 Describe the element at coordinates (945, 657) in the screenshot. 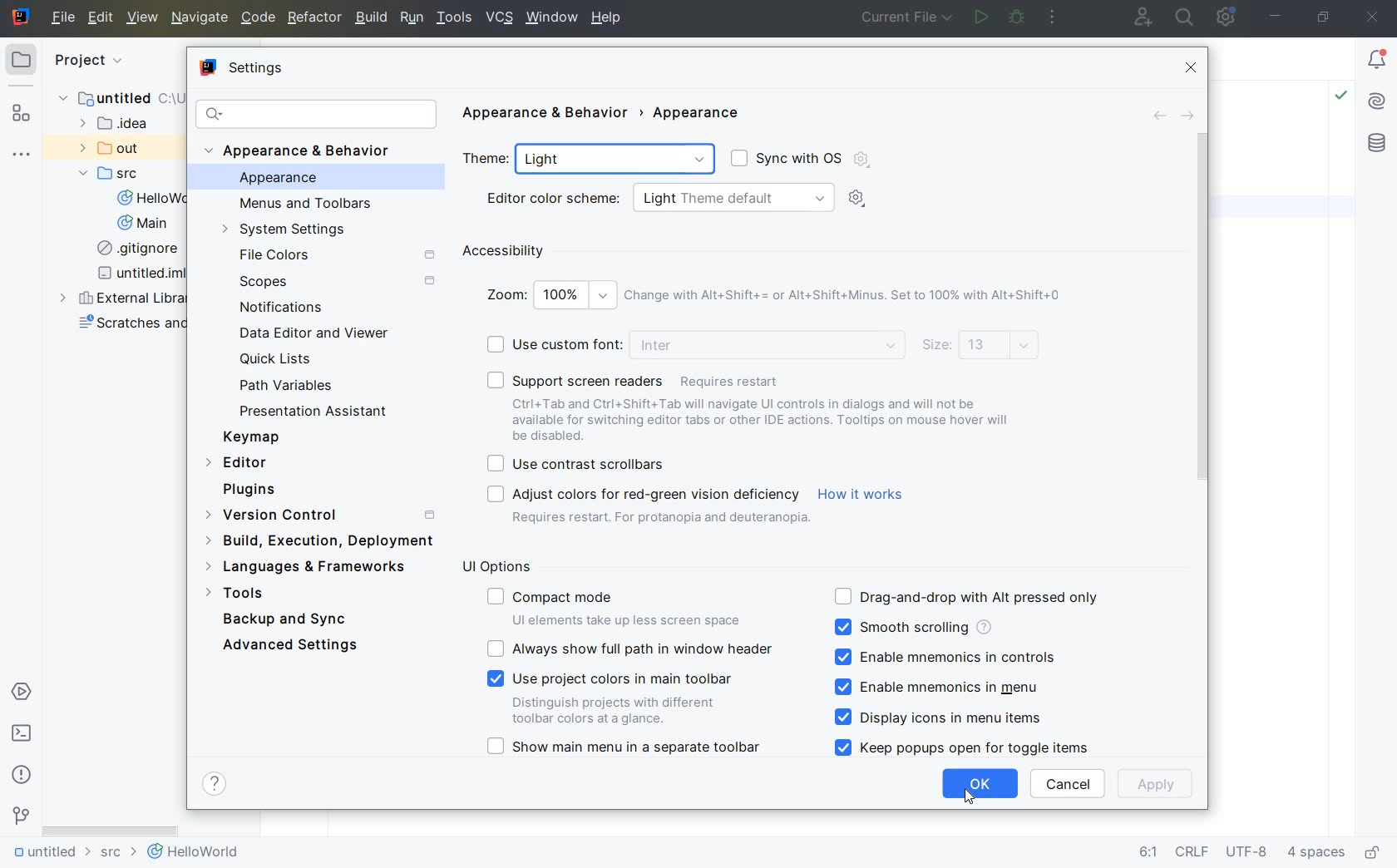

I see `enable mnemonics in controls(checked)` at that location.